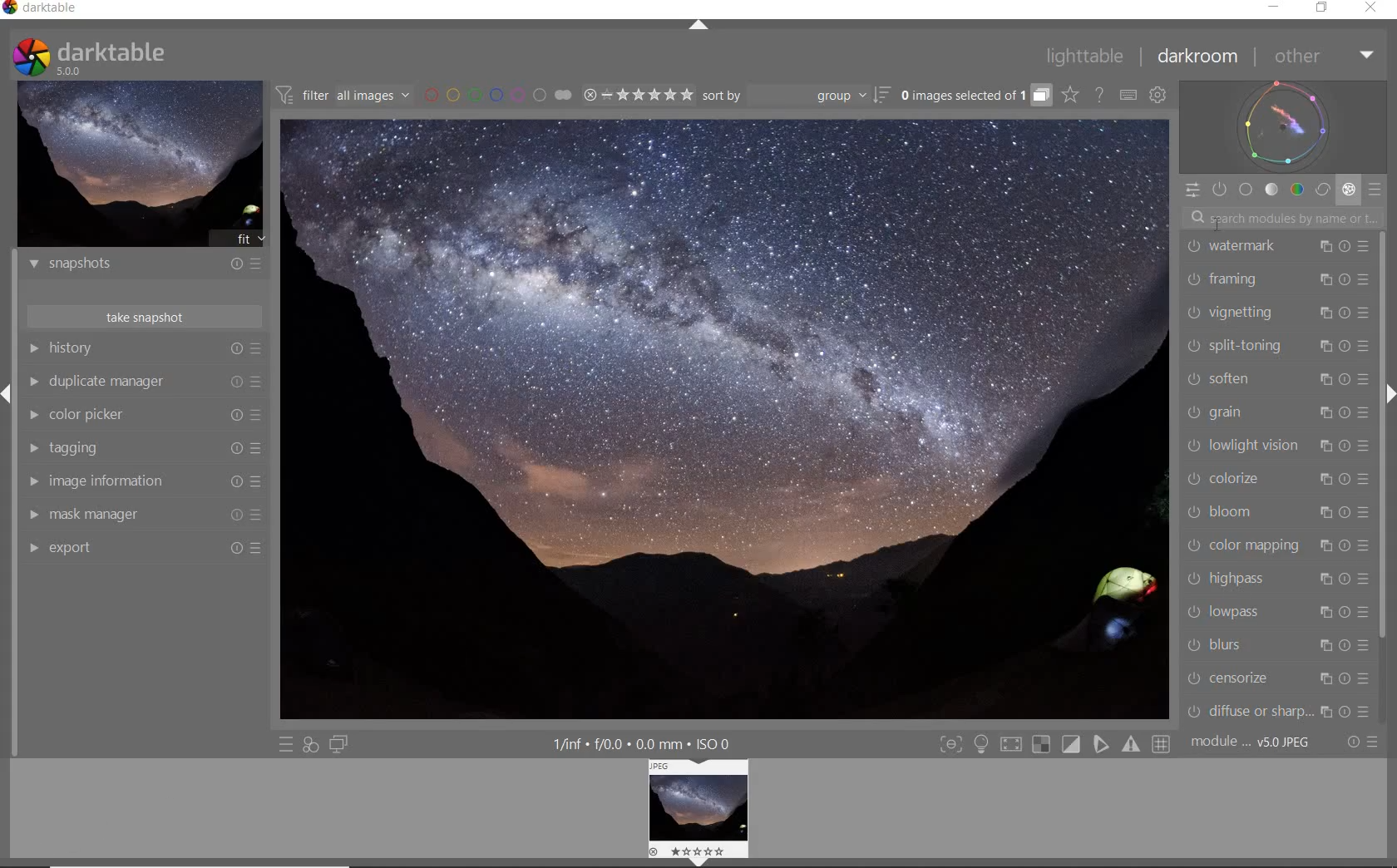  I want to click on WATERMARK, so click(1233, 244).